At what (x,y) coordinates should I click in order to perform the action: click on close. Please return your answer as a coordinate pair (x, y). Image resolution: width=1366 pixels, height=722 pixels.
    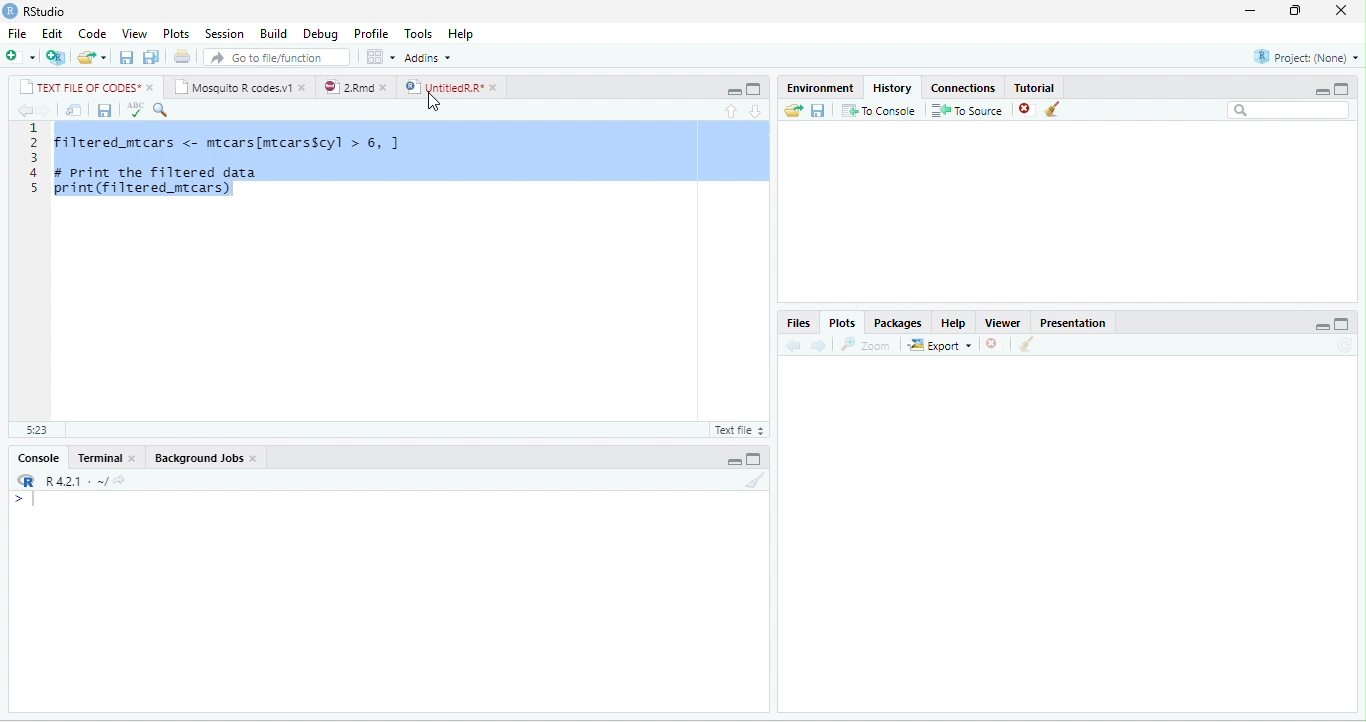
    Looking at the image, I should click on (496, 88).